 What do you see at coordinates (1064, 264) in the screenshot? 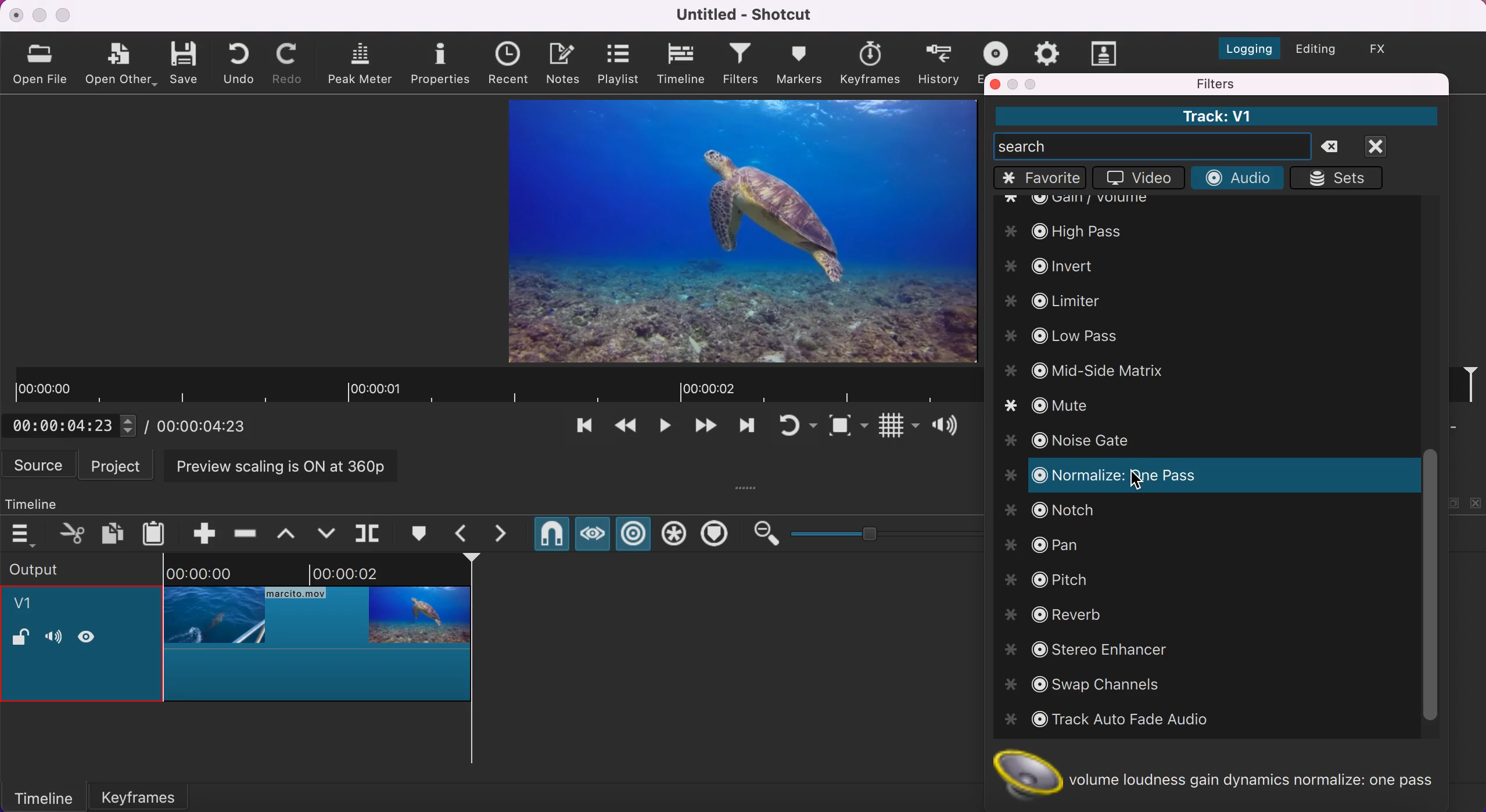
I see `invert` at bounding box center [1064, 264].